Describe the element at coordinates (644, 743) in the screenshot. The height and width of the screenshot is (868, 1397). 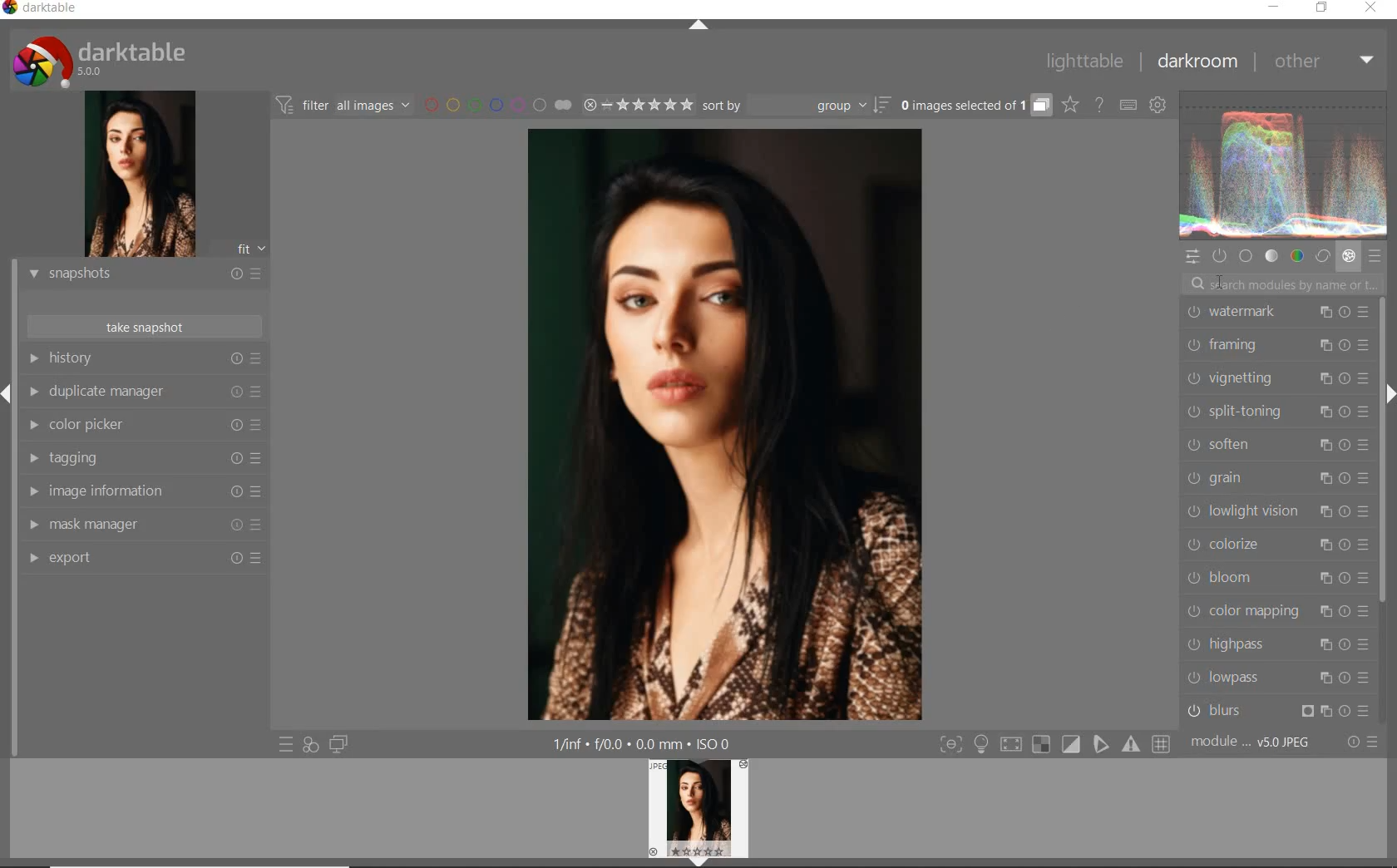
I see `1/inf*f/0.0 mm*ISO 0` at that location.